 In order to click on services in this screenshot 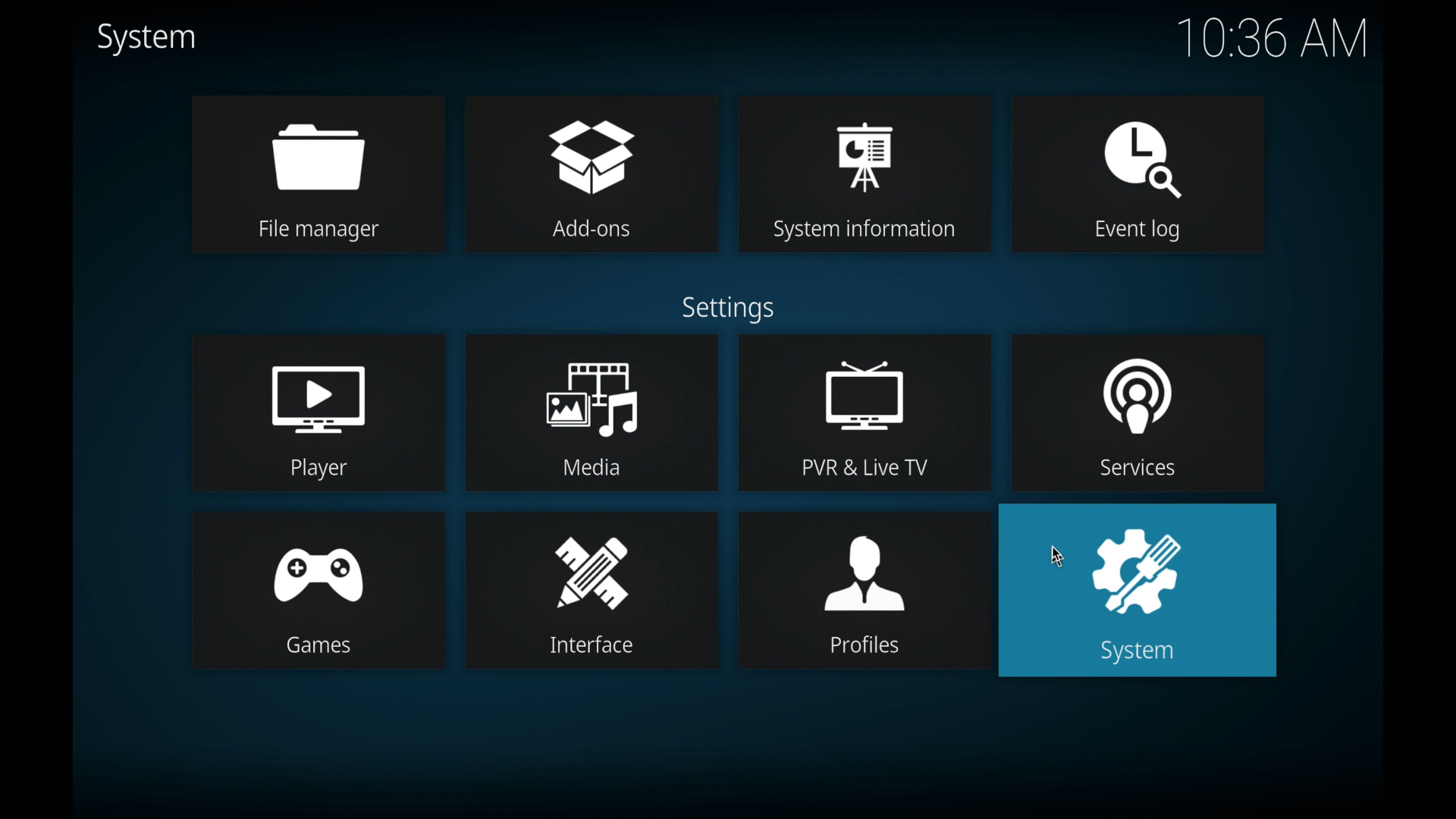, I will do `click(1139, 411)`.